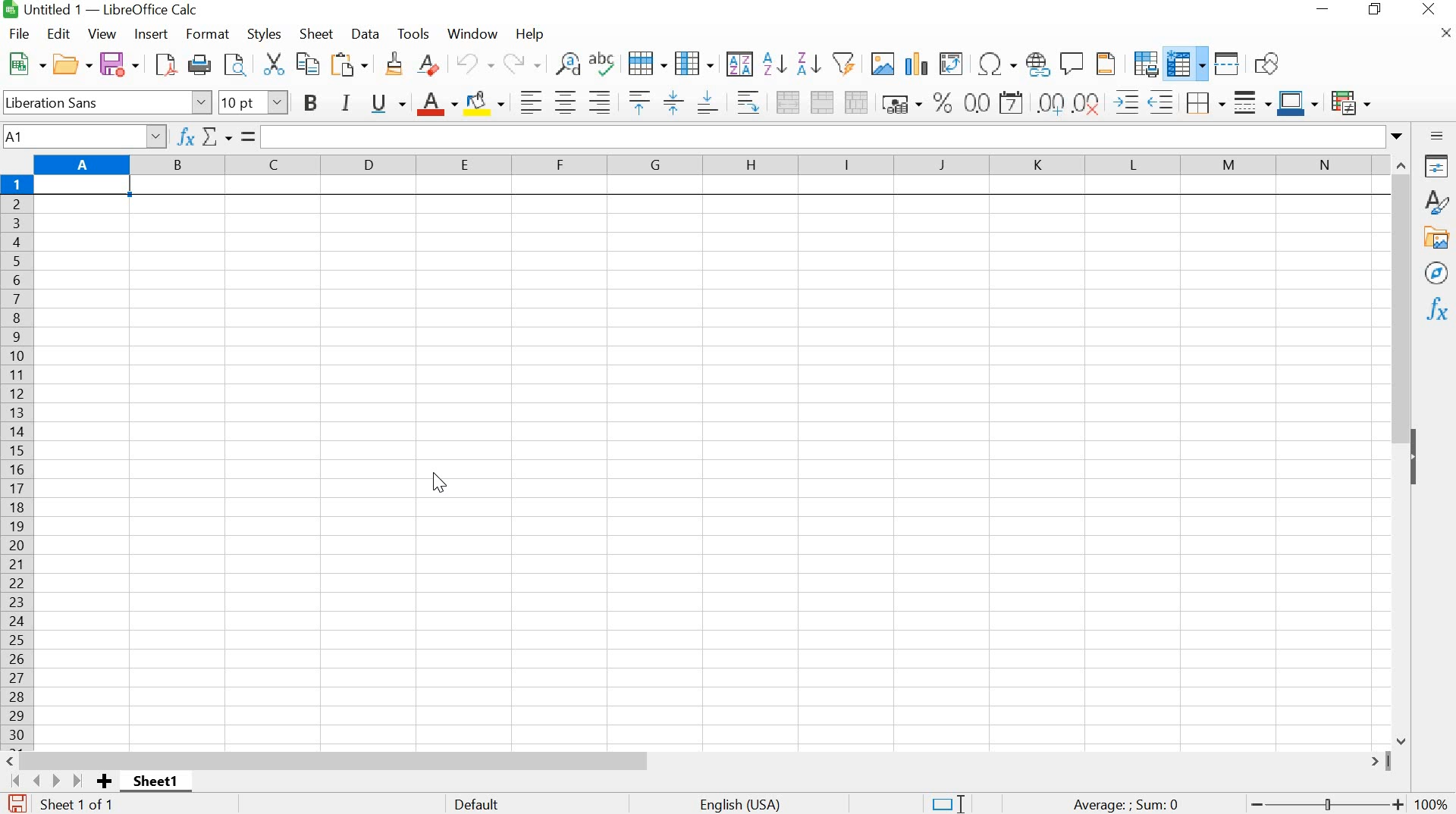 The height and width of the screenshot is (814, 1456). What do you see at coordinates (792, 64) in the screenshot?
I see `SORT ASCENDING OR SORT DESCENDING` at bounding box center [792, 64].